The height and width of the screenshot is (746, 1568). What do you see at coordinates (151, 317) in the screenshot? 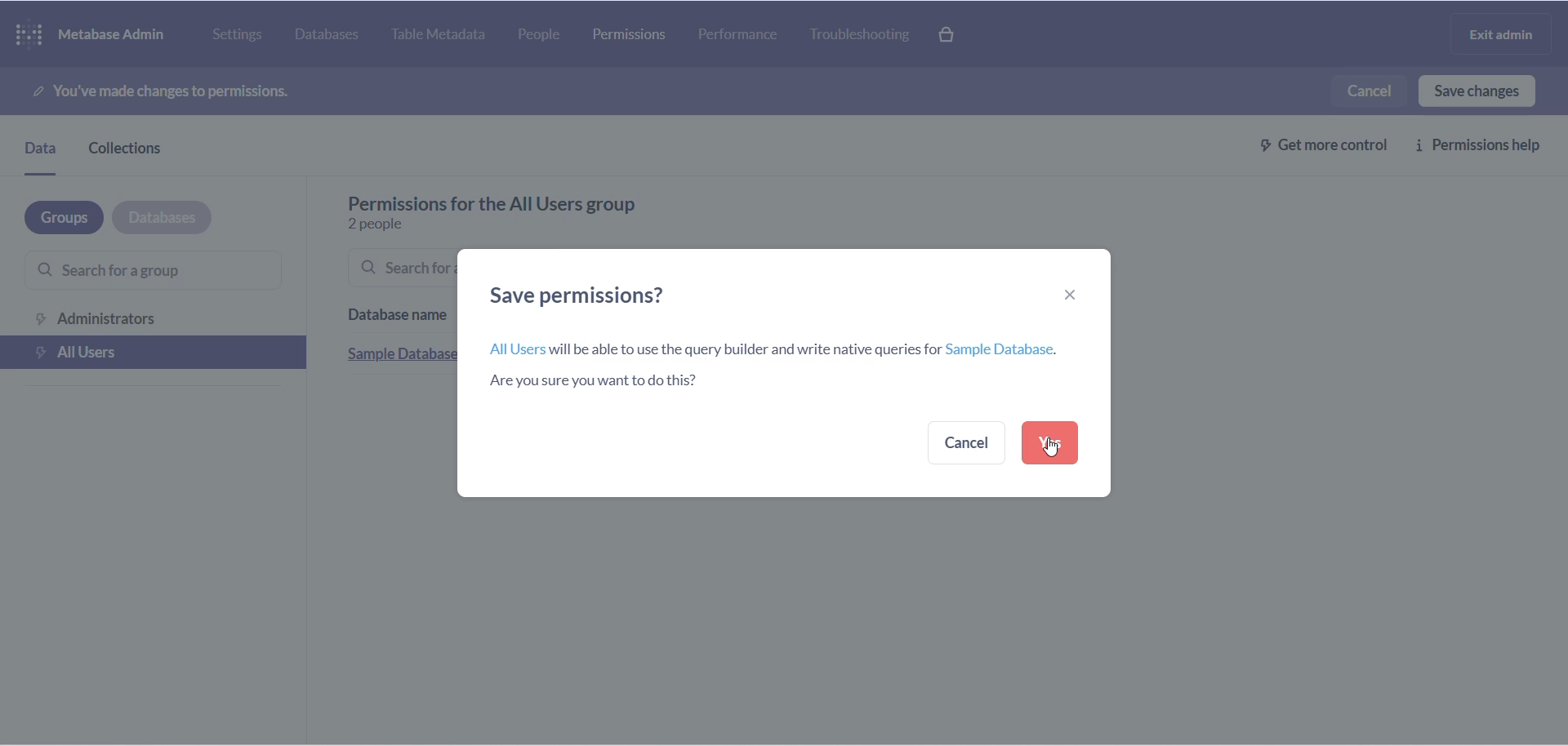
I see `administration` at bounding box center [151, 317].